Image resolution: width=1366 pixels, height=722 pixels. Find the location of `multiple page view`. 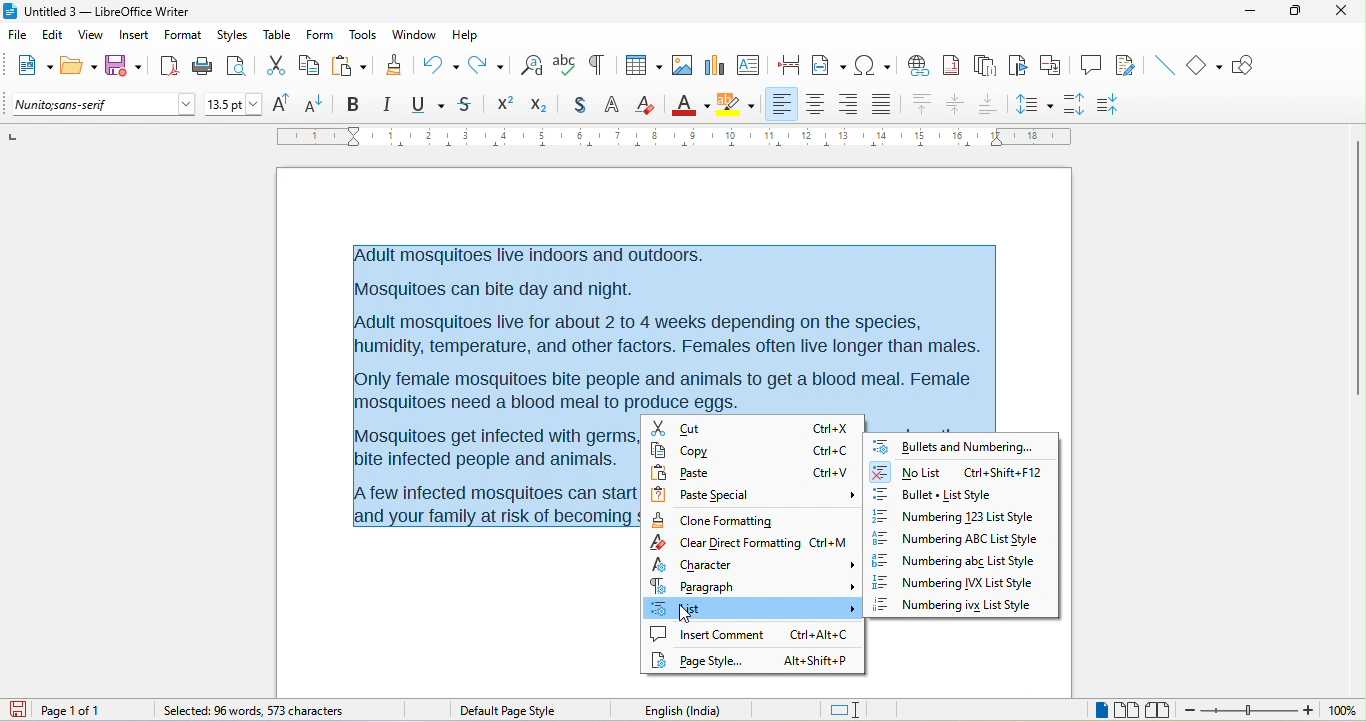

multiple page view is located at coordinates (1127, 711).